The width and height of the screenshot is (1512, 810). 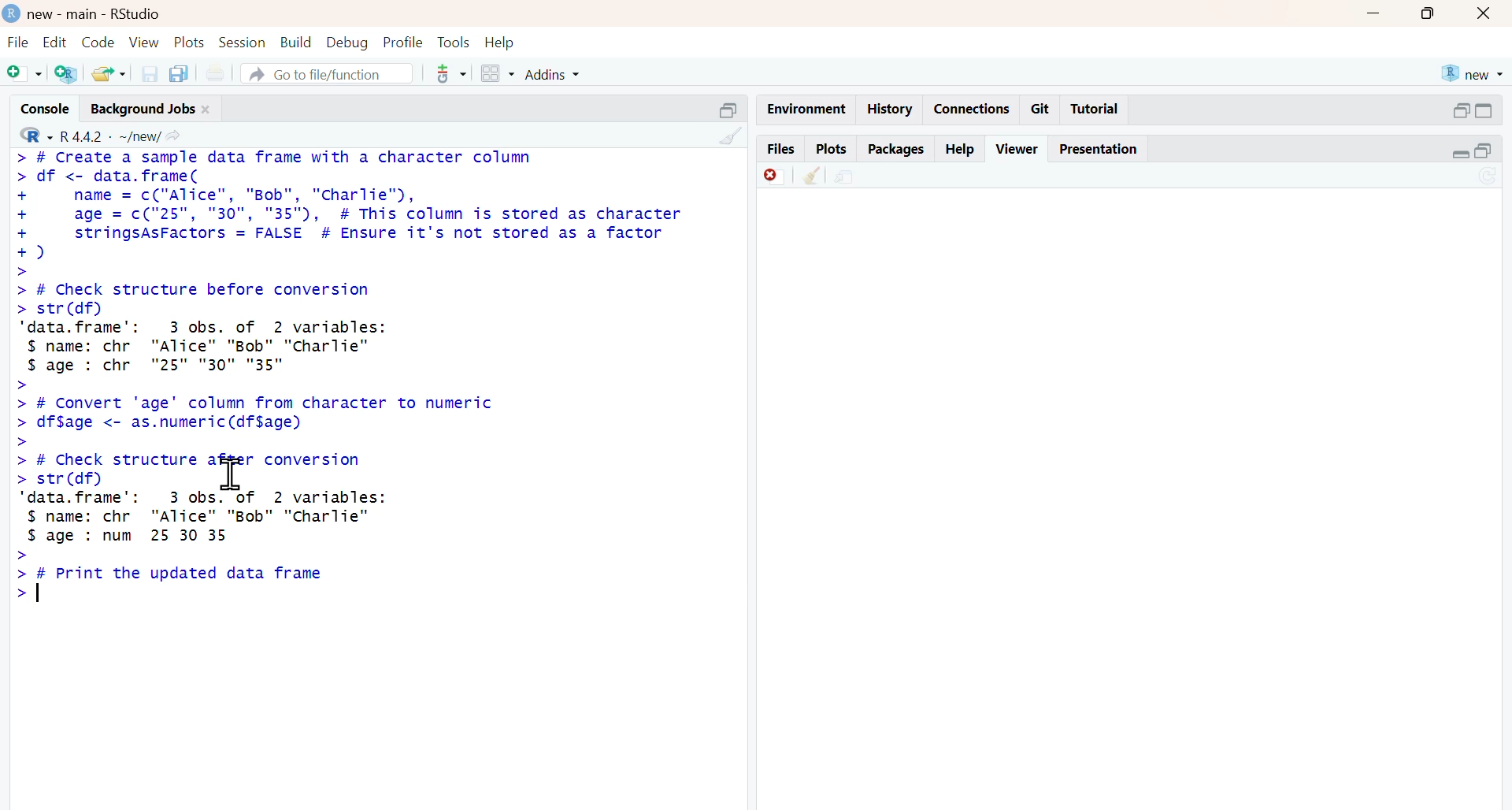 I want to click on Minimise, so click(x=1373, y=12).